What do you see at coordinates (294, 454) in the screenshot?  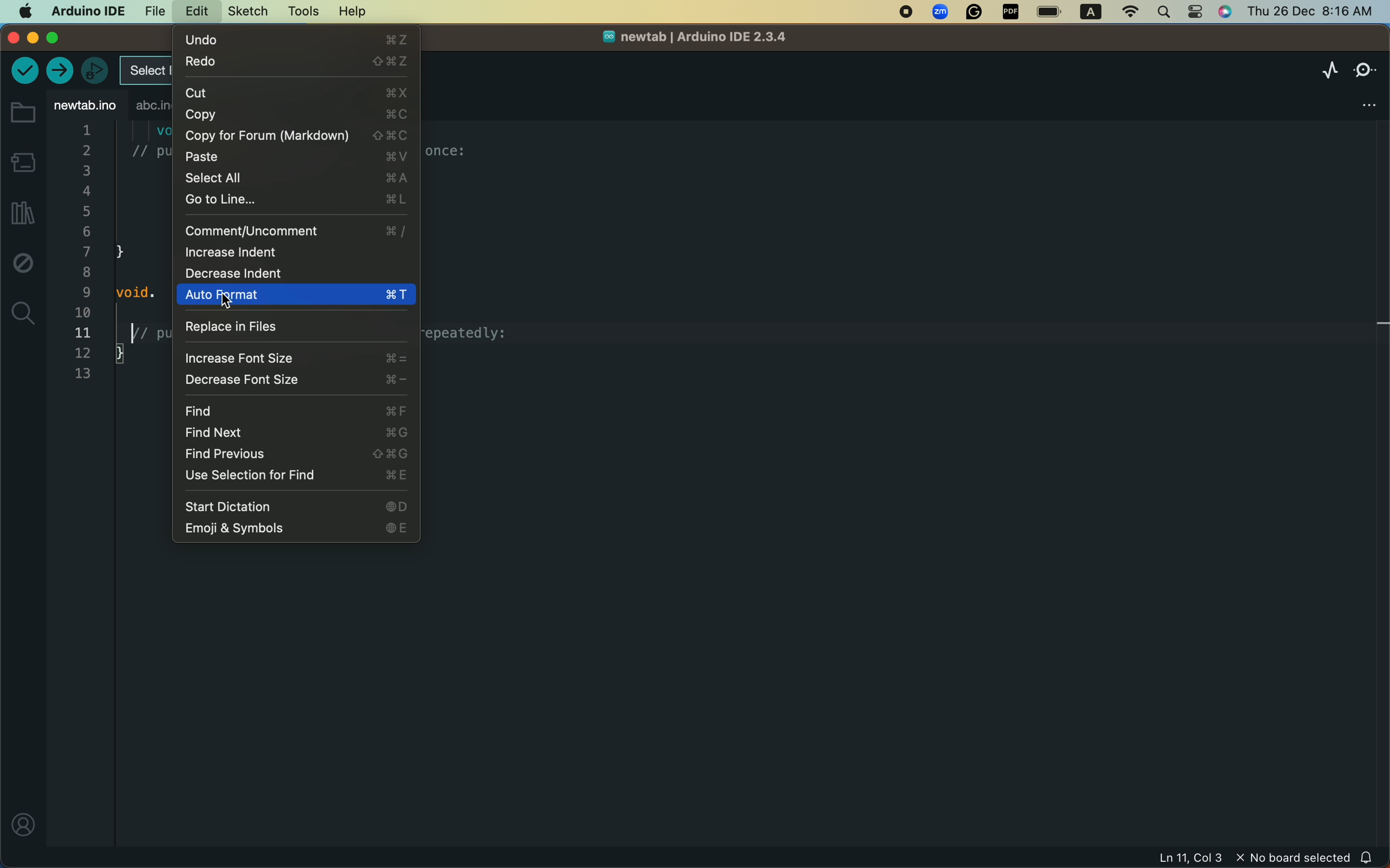 I see `previous` at bounding box center [294, 454].